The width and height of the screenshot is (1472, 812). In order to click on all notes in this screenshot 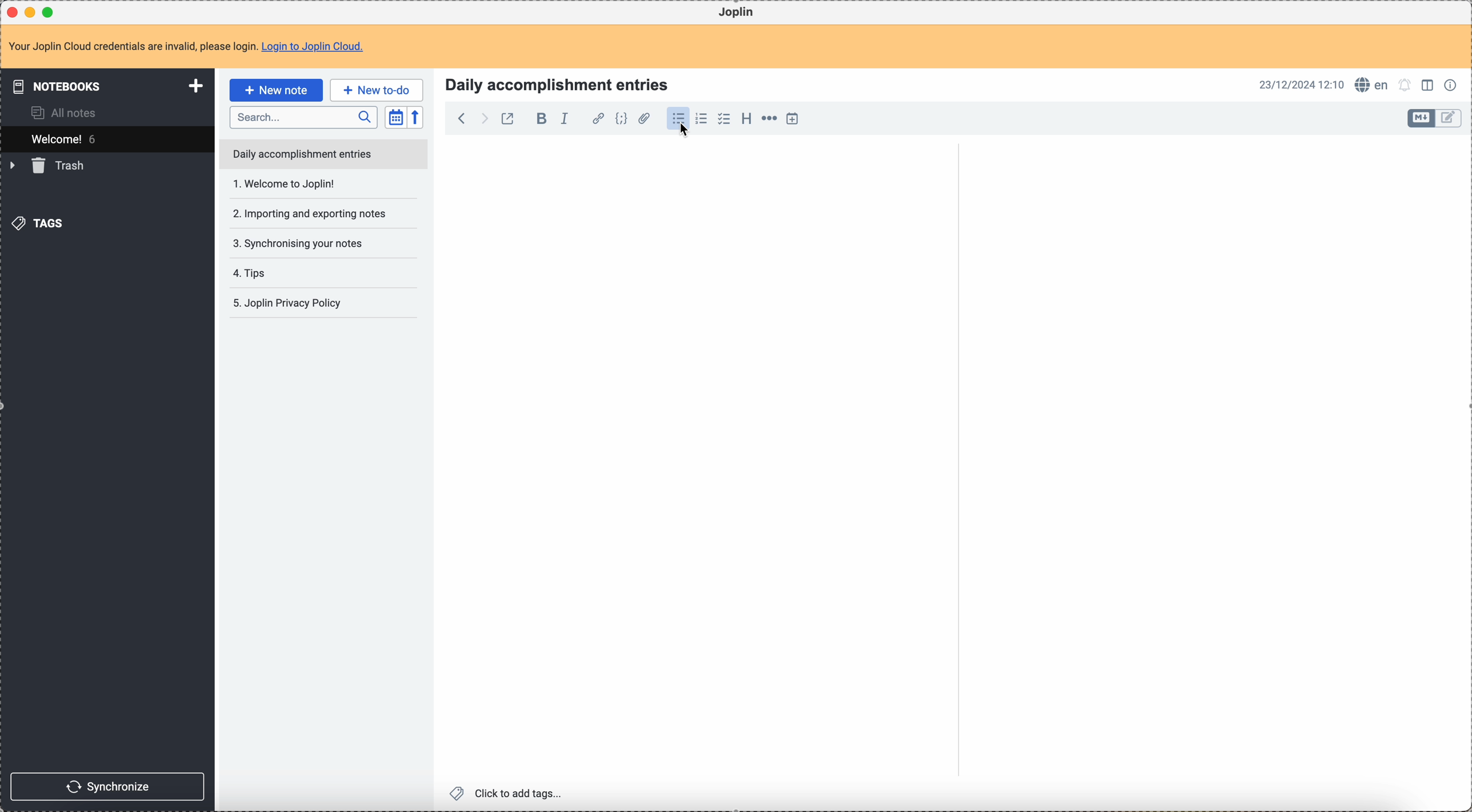, I will do `click(59, 113)`.